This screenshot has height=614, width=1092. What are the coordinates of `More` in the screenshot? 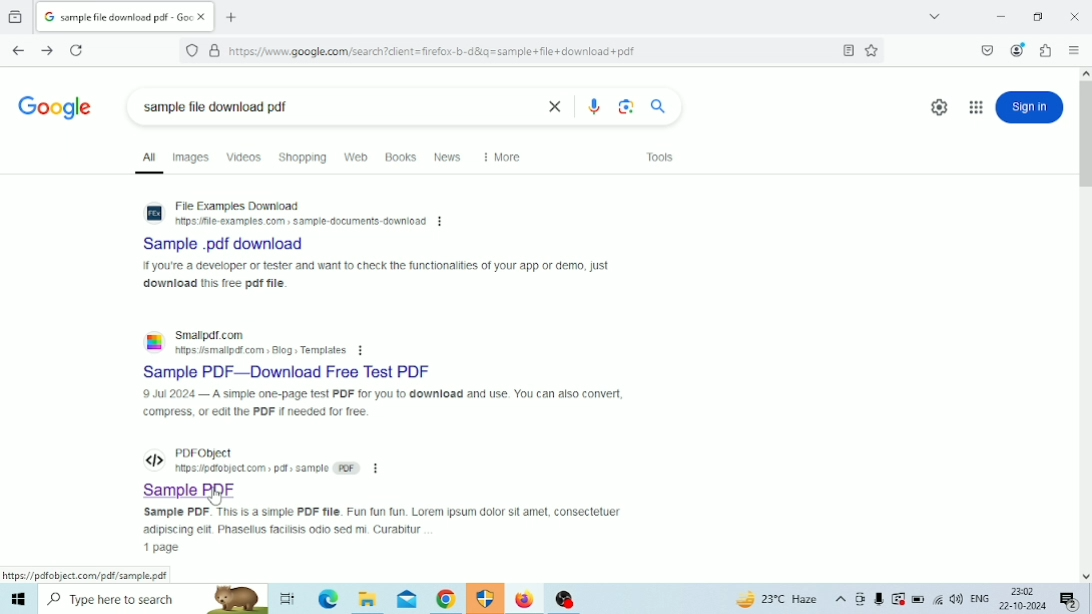 It's located at (503, 157).